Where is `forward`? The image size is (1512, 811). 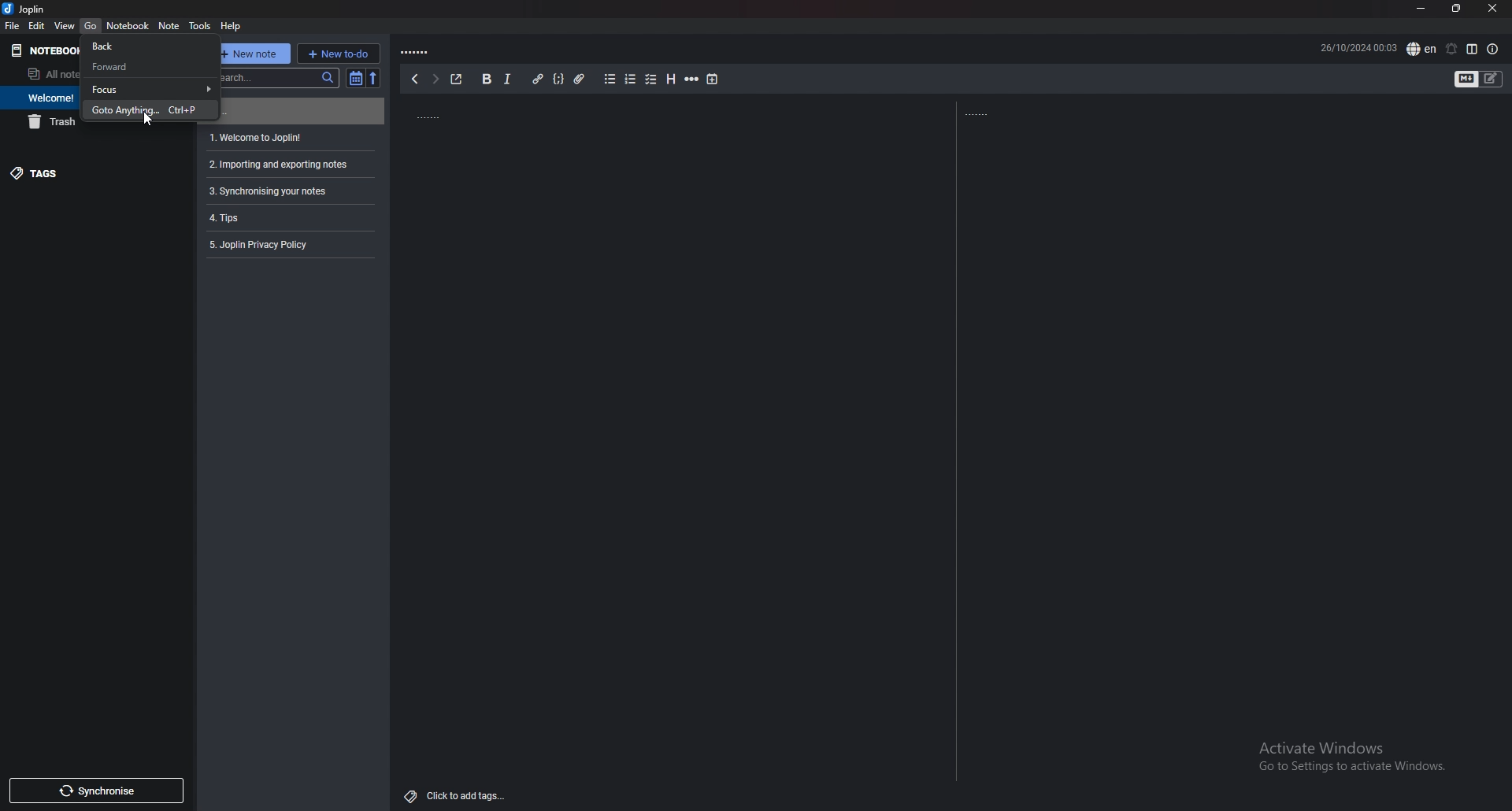
forward is located at coordinates (149, 66).